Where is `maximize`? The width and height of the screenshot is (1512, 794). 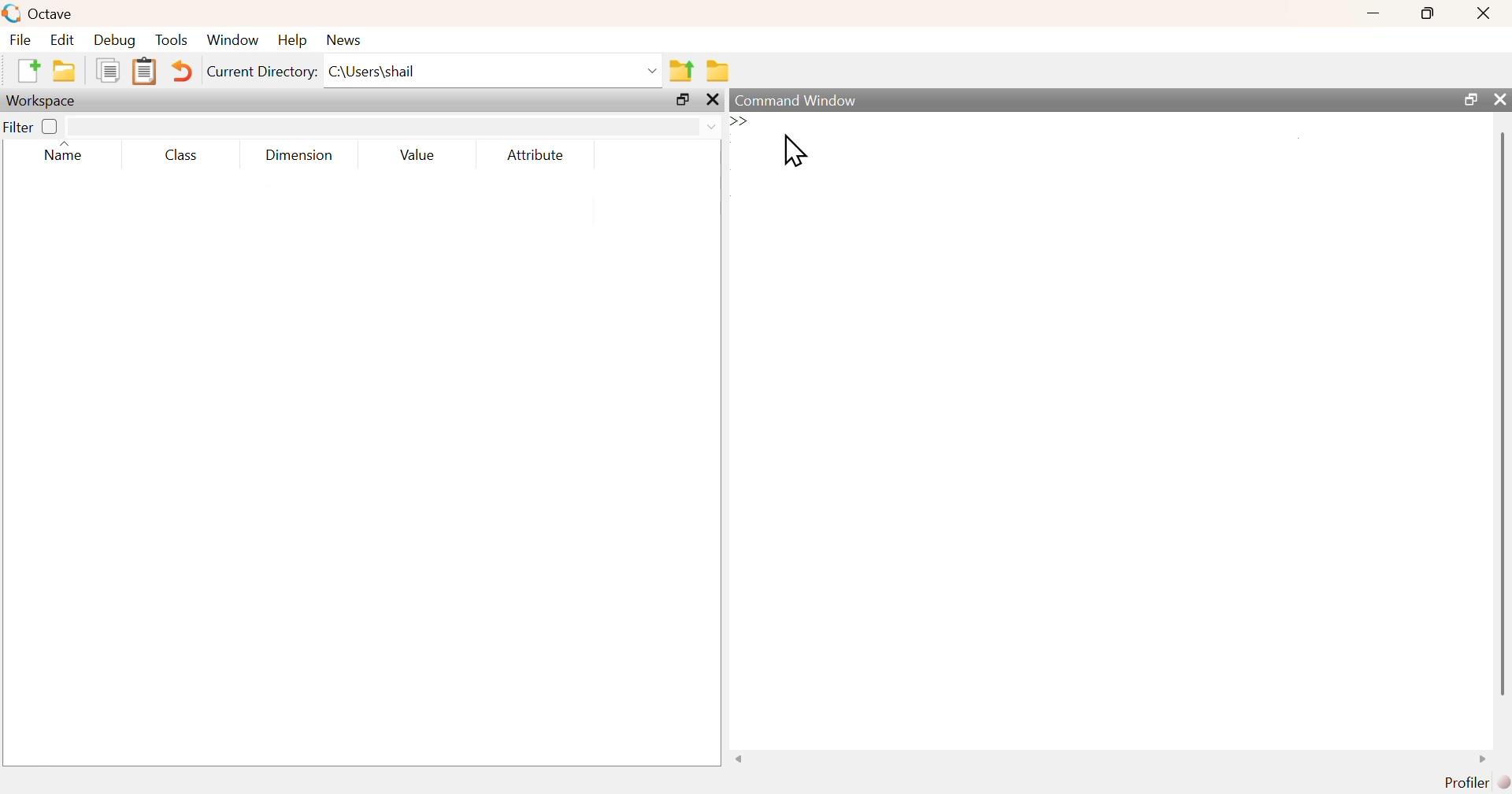 maximize is located at coordinates (682, 100).